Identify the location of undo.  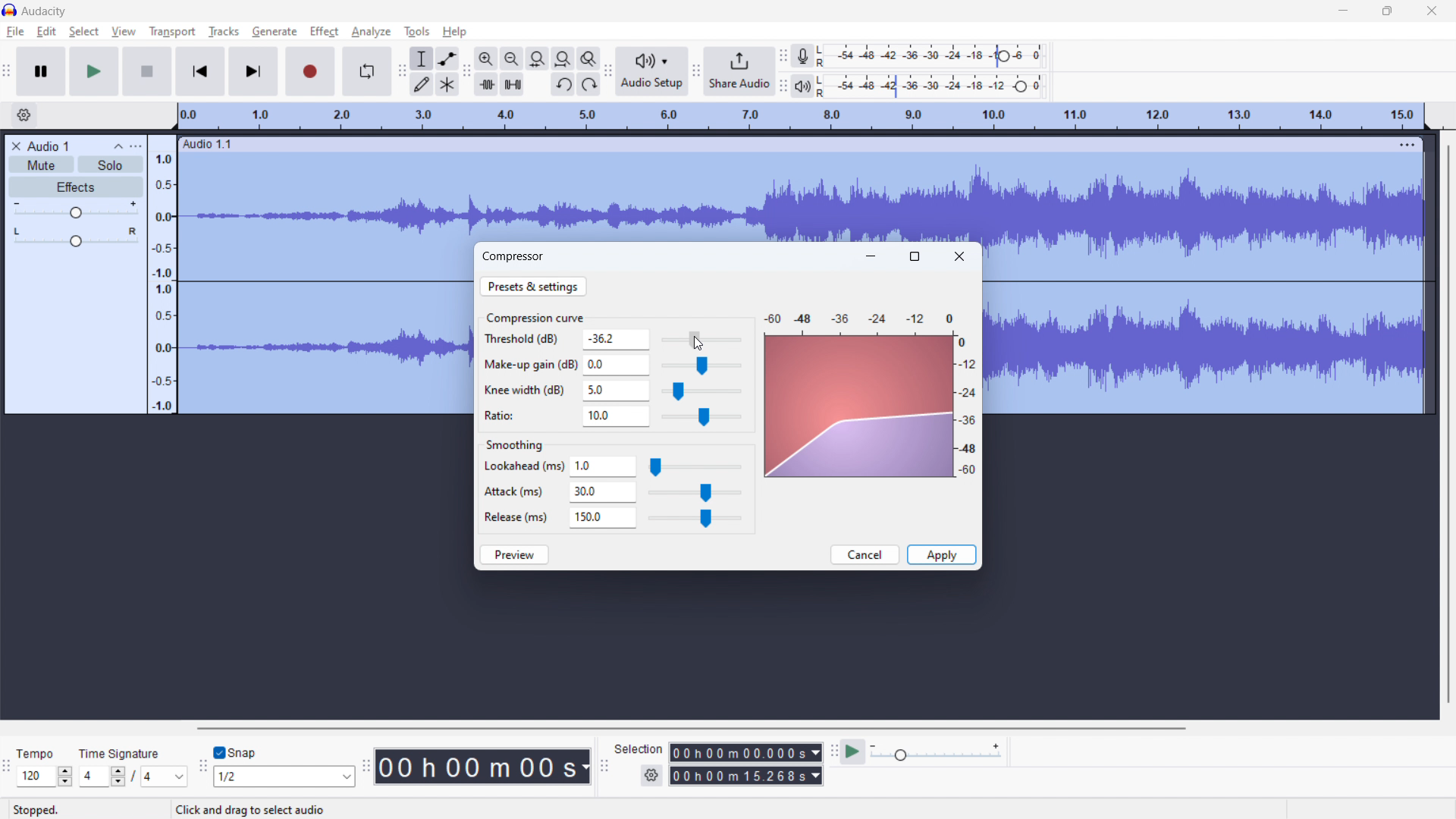
(563, 84).